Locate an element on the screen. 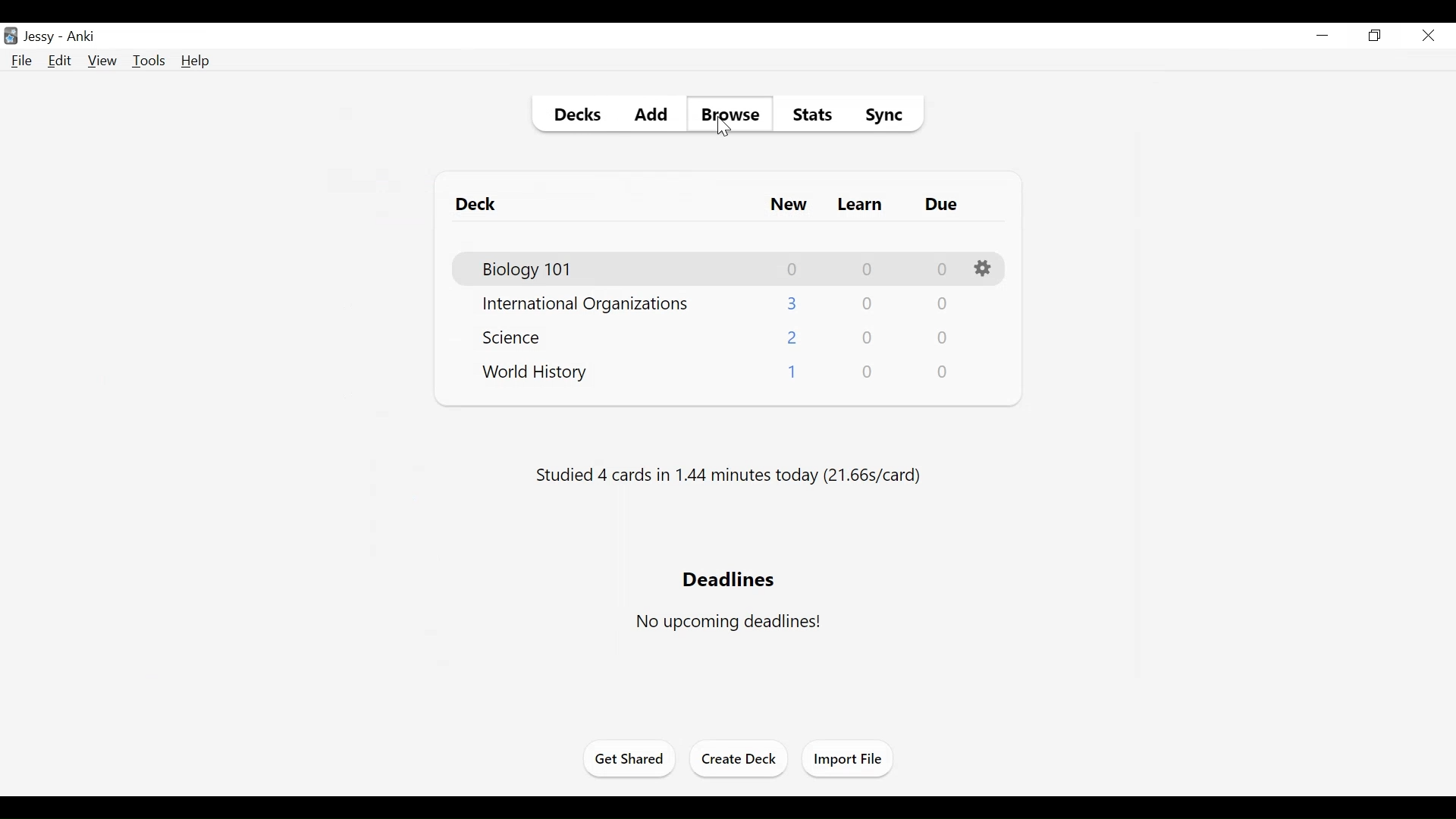 The width and height of the screenshot is (1456, 819). Edit is located at coordinates (61, 61).